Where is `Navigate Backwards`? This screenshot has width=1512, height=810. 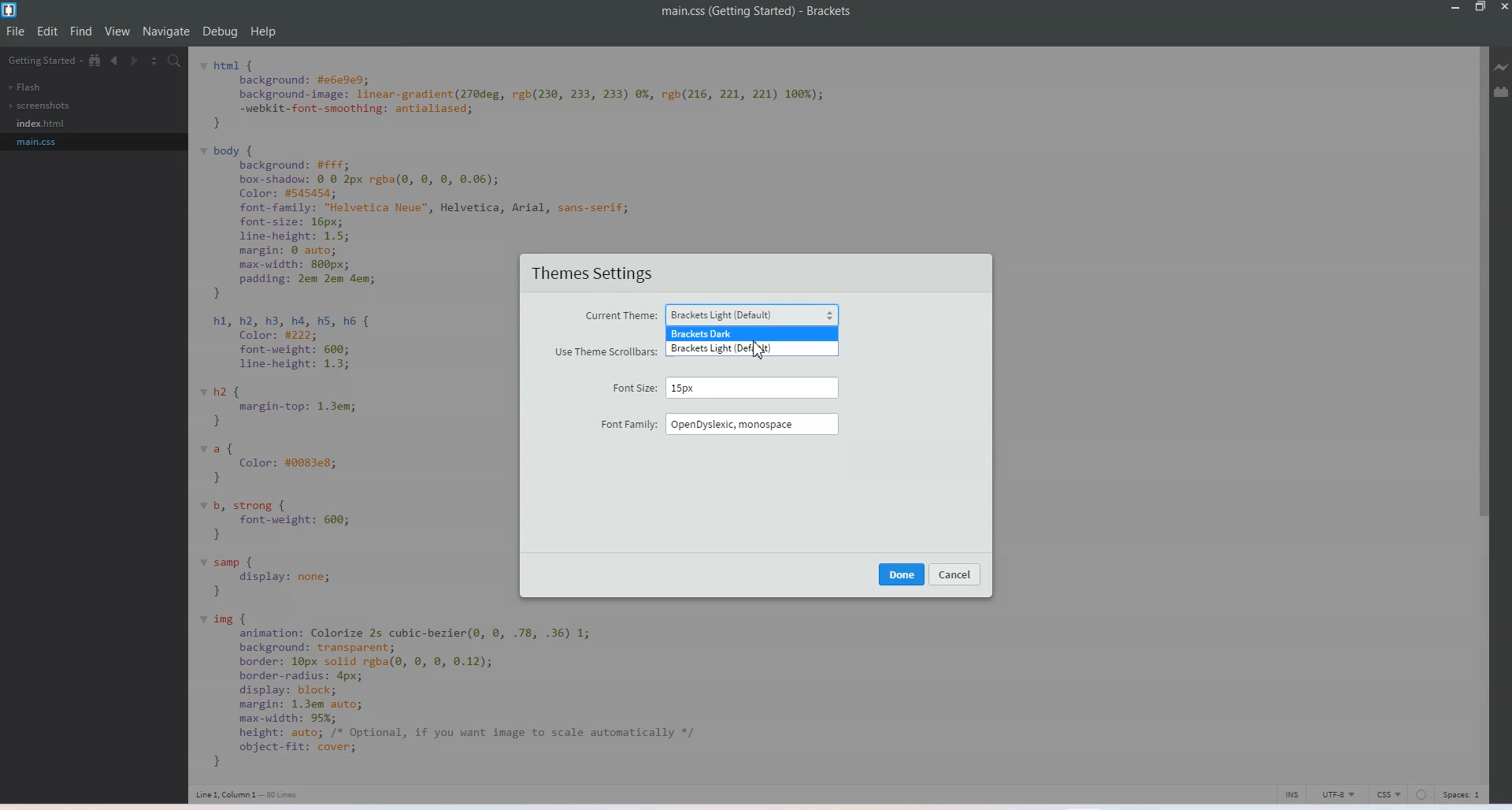
Navigate Backwards is located at coordinates (113, 61).